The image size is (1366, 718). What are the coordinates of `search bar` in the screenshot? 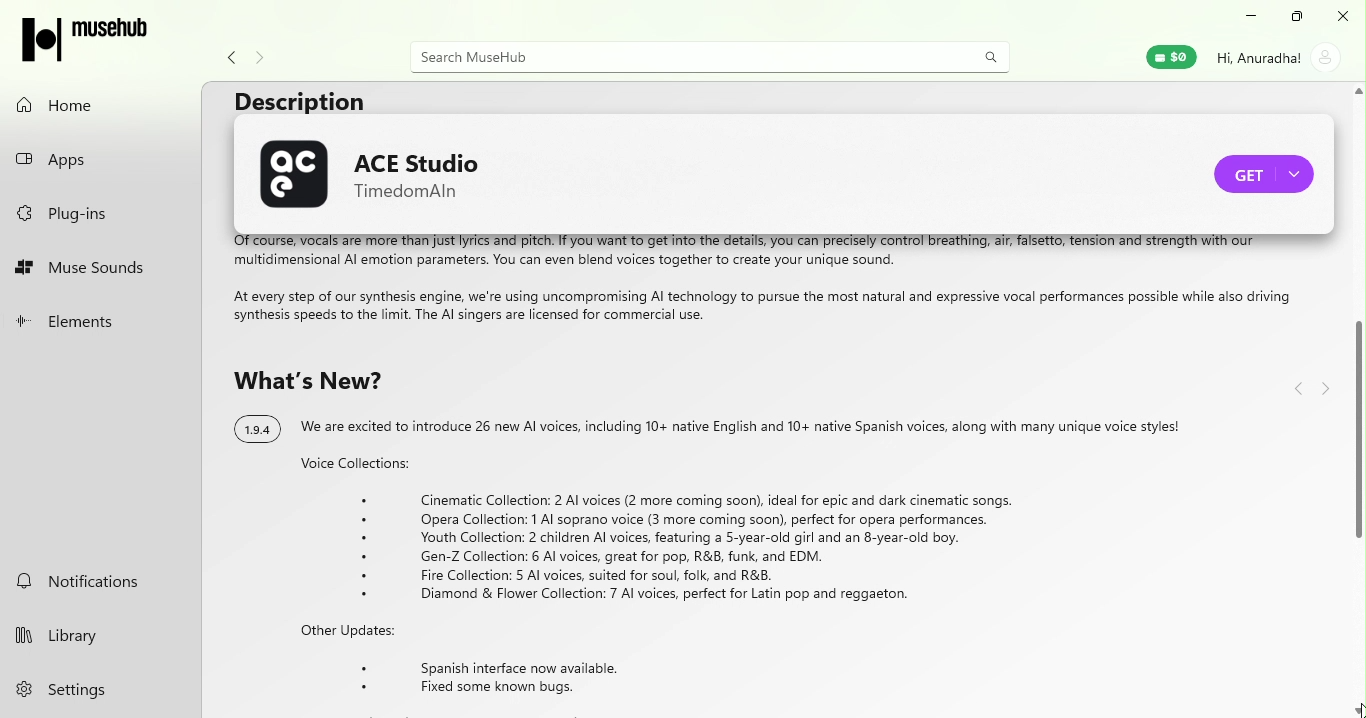 It's located at (682, 56).